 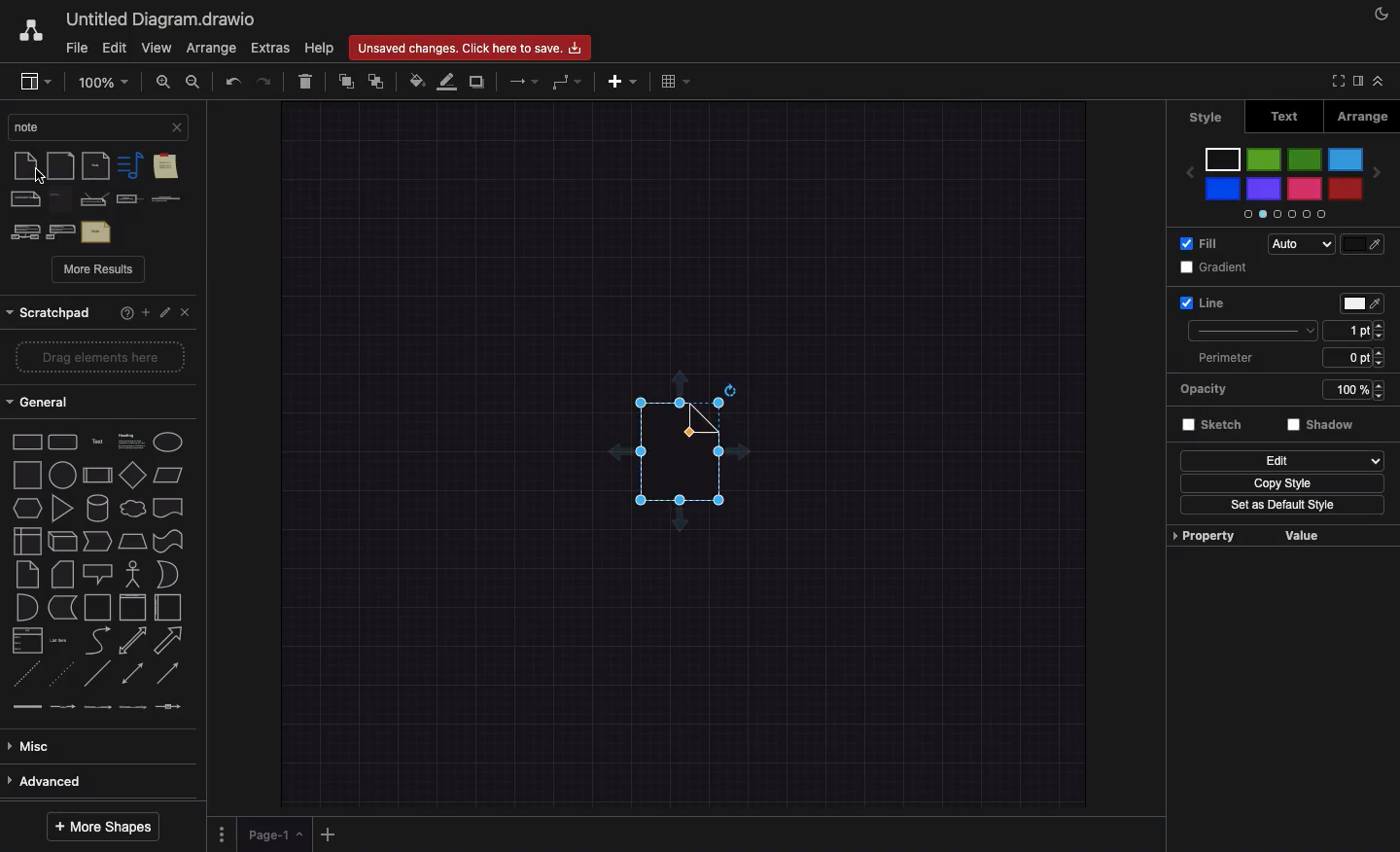 I want to click on Arrows, so click(x=521, y=80).